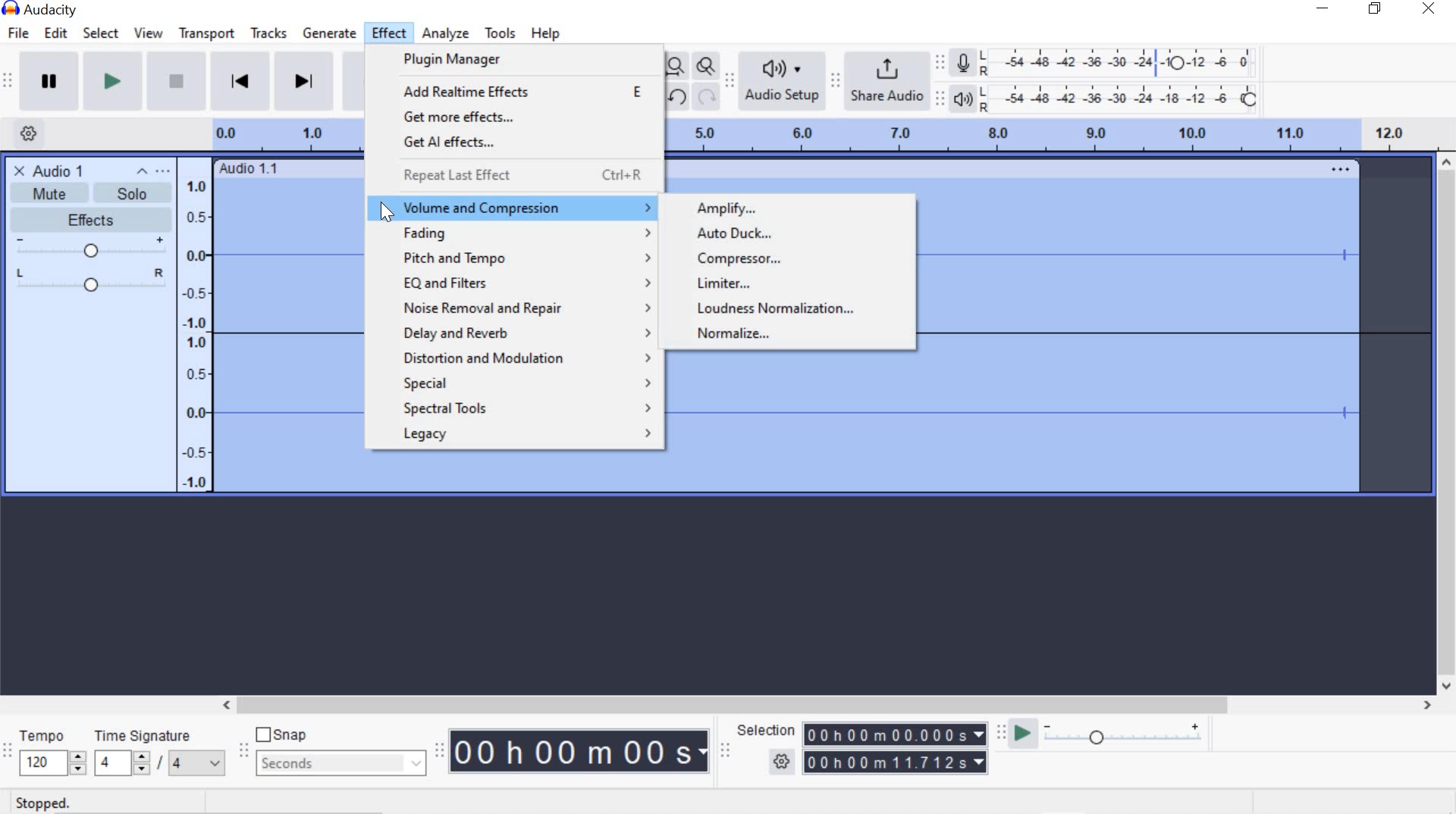 Image resolution: width=1456 pixels, height=814 pixels. What do you see at coordinates (391, 33) in the screenshot?
I see `effect` at bounding box center [391, 33].